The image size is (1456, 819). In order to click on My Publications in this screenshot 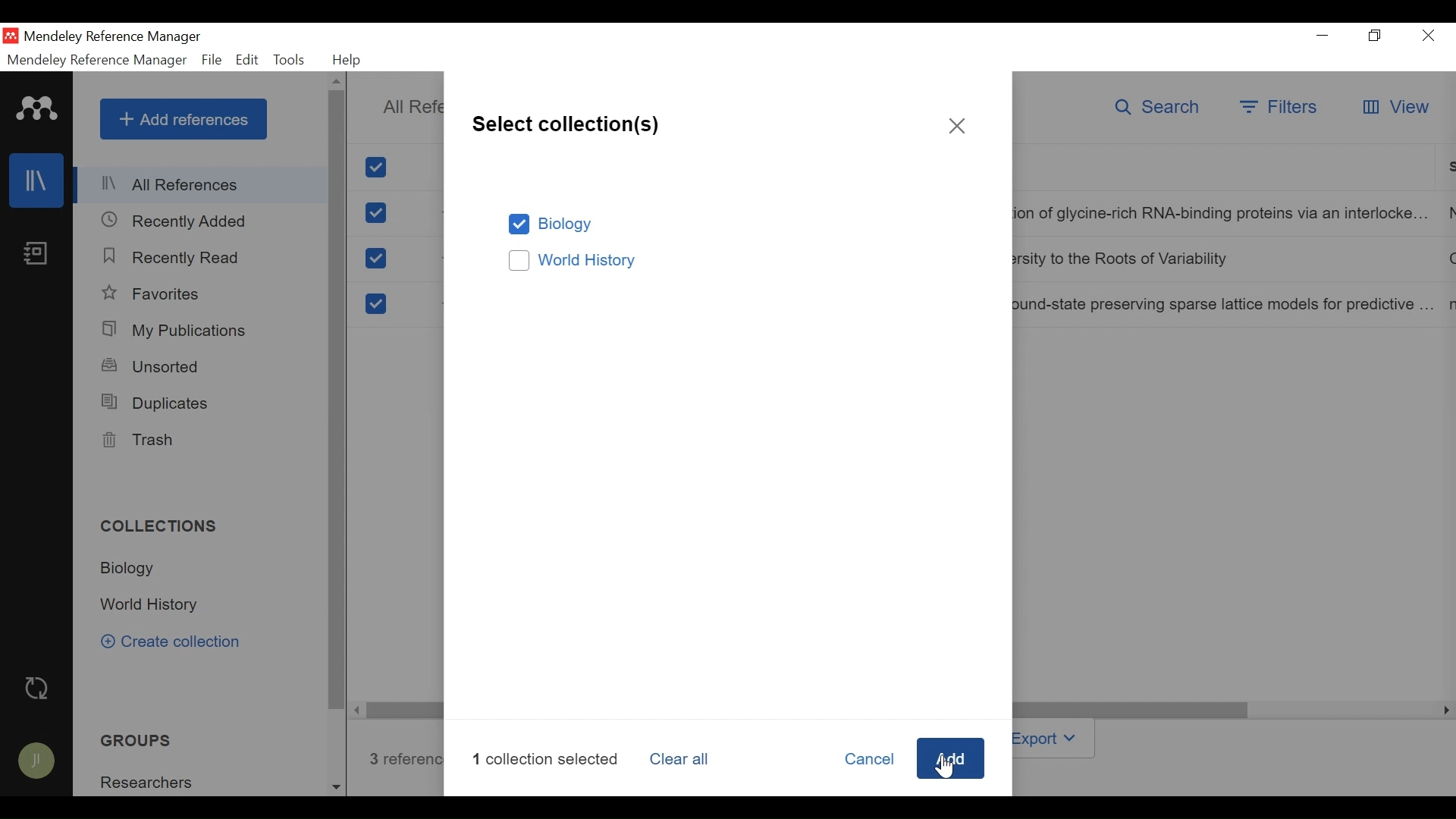, I will do `click(176, 330)`.